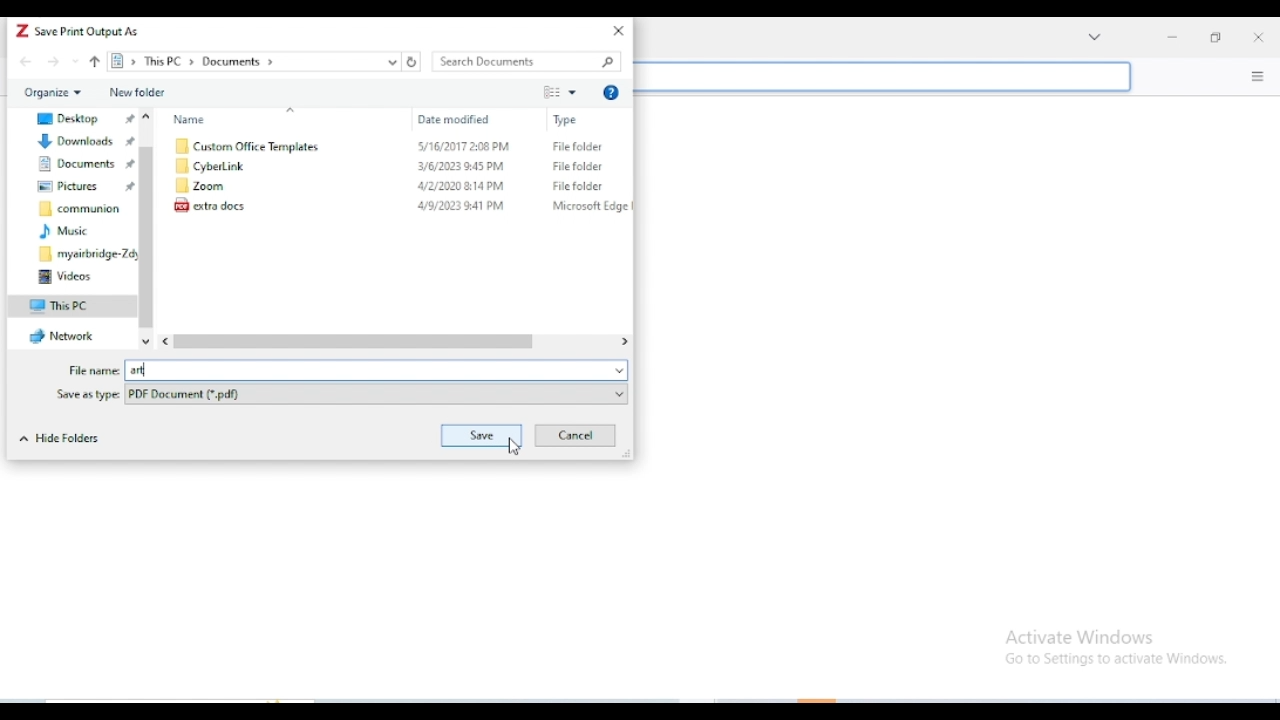 The height and width of the screenshot is (720, 1280). What do you see at coordinates (462, 166) in the screenshot?
I see `3/6/2023 2:45PM` at bounding box center [462, 166].